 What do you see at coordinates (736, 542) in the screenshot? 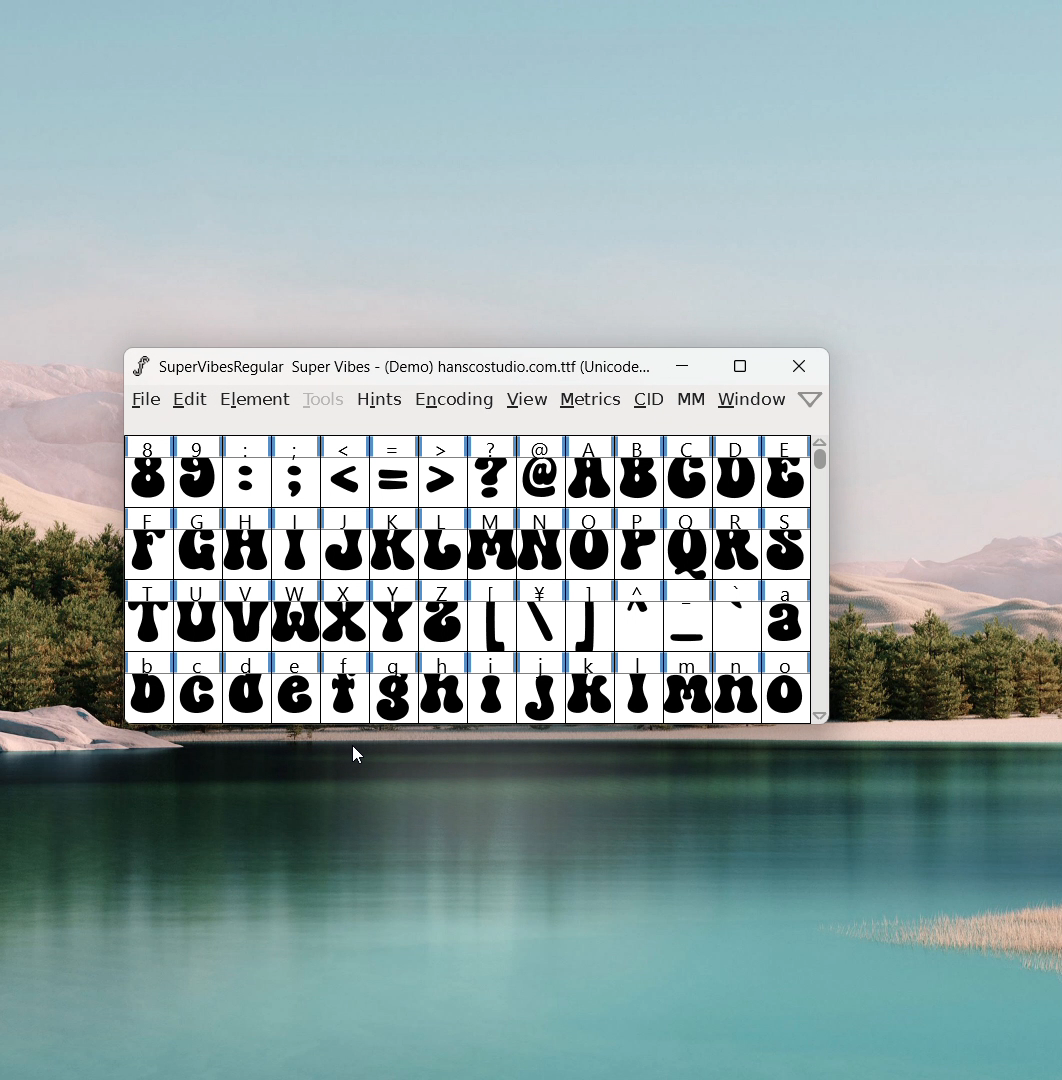
I see `R` at bounding box center [736, 542].